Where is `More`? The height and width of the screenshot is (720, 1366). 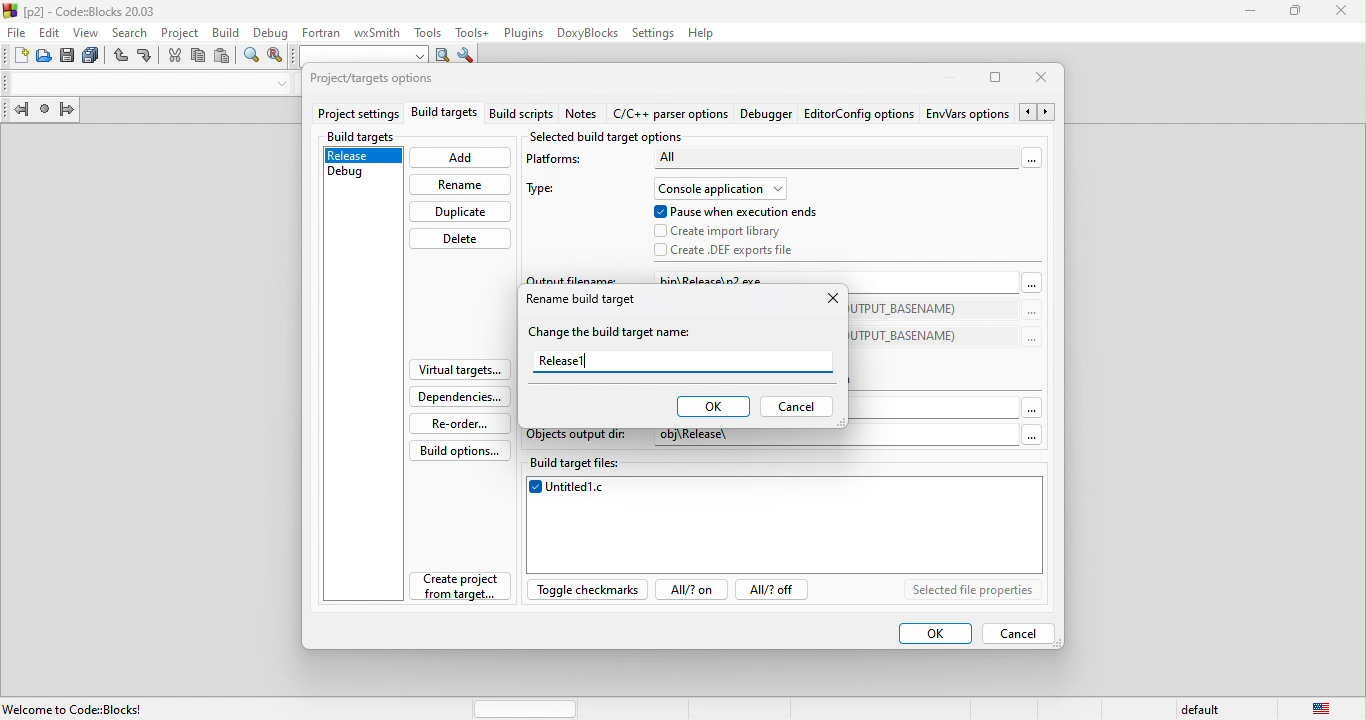
More is located at coordinates (1034, 403).